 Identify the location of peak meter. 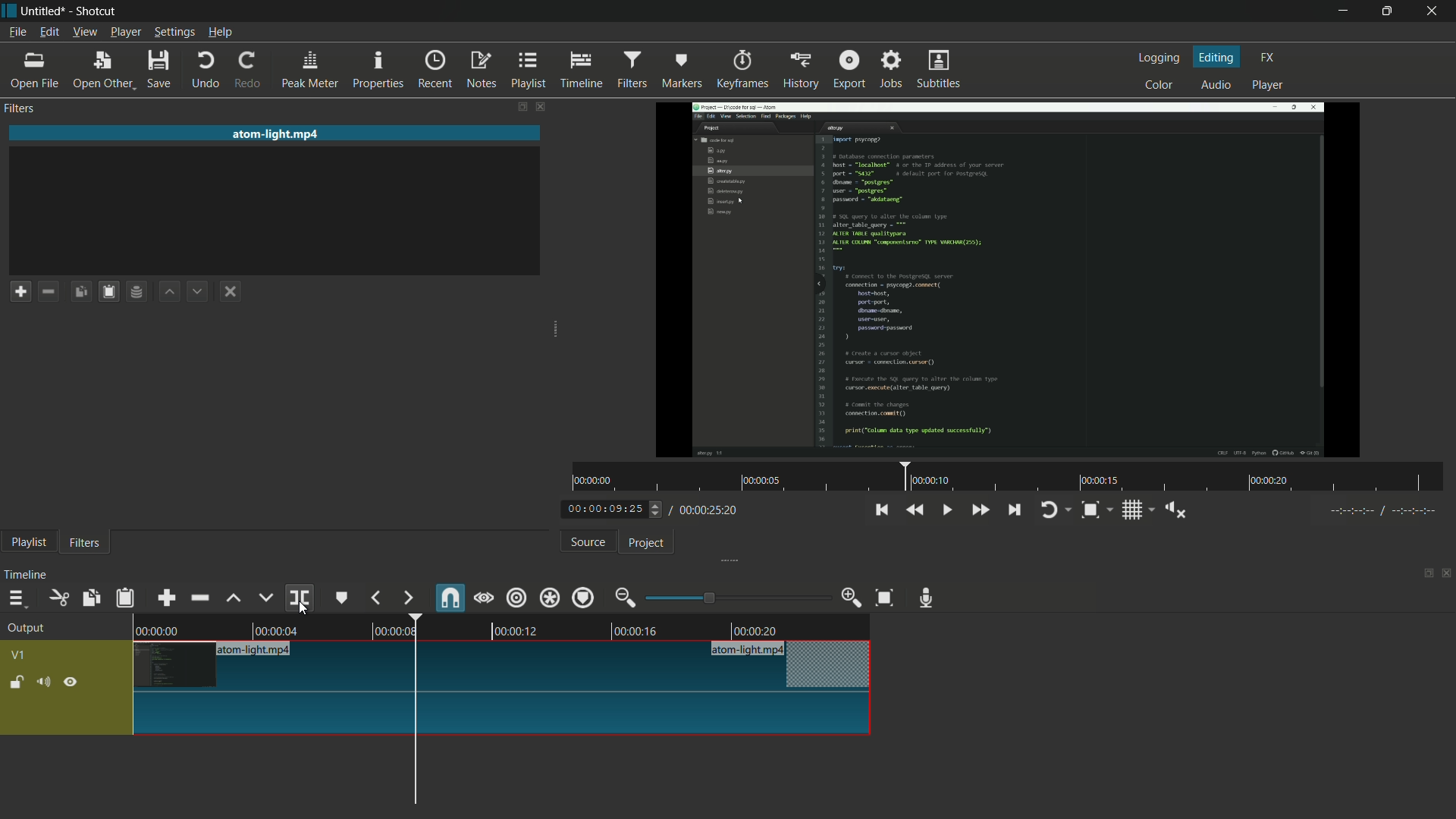
(310, 71).